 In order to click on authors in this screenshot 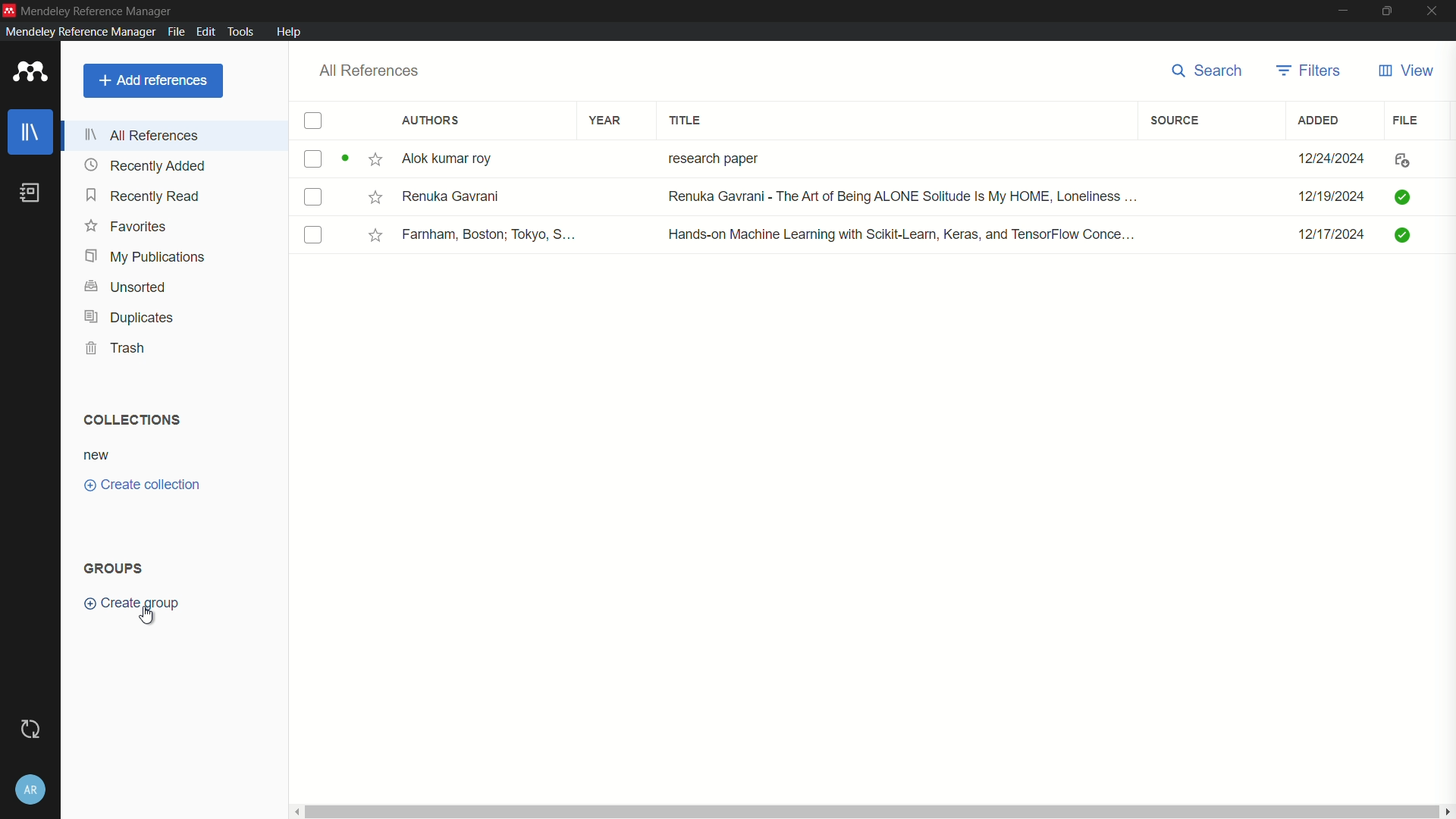, I will do `click(431, 121)`.